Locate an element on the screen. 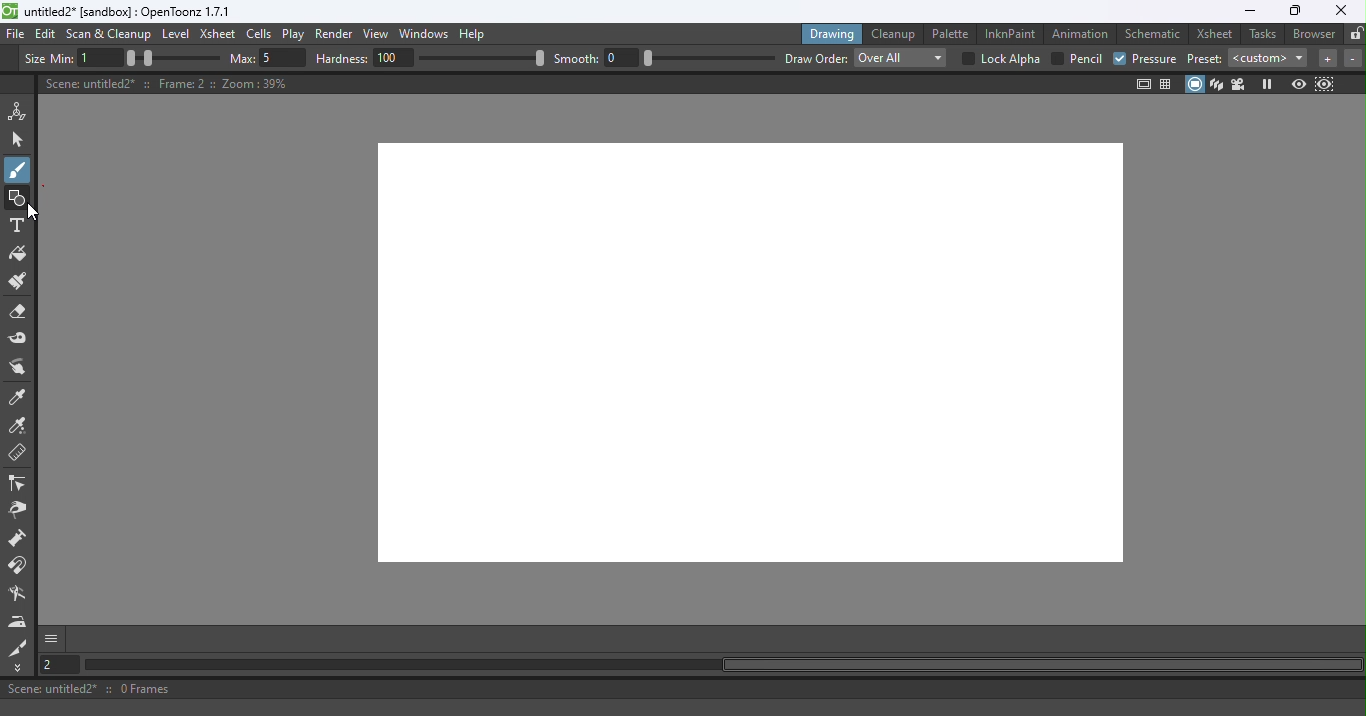 This screenshot has height=716, width=1366. More Tools is located at coordinates (19, 668).